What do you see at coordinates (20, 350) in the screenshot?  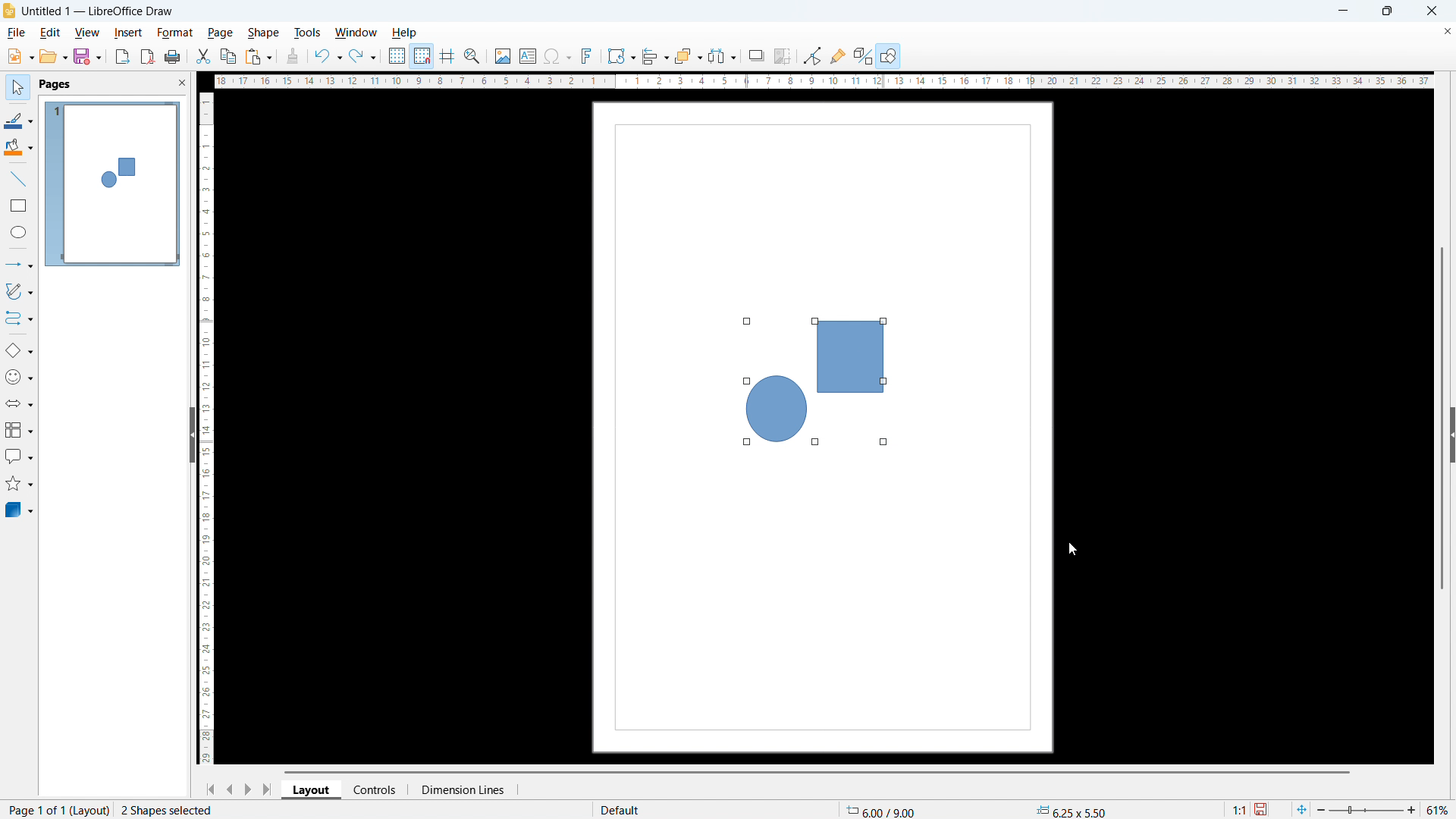 I see `basic shapes` at bounding box center [20, 350].